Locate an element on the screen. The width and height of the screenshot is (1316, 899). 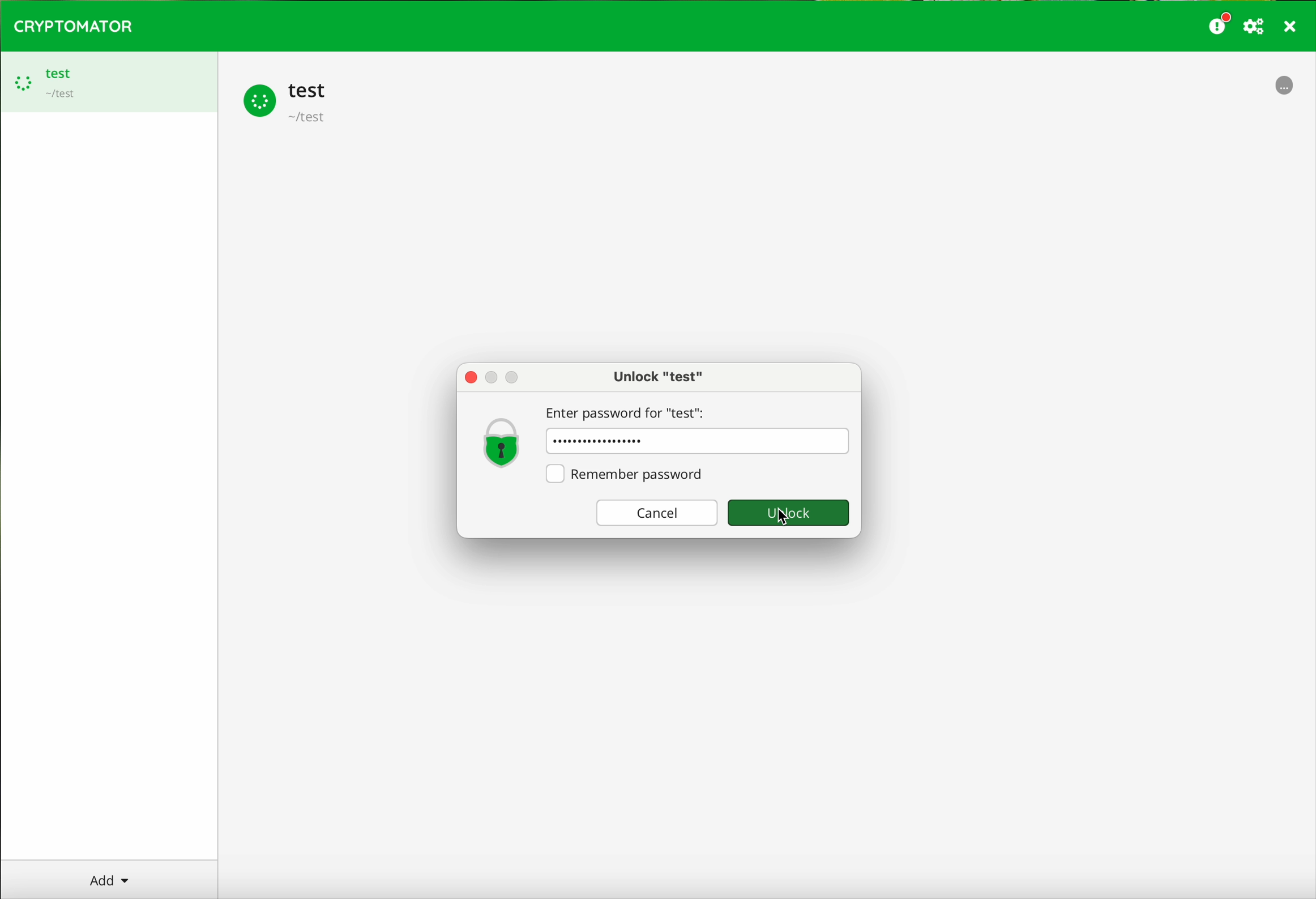
Remember password is located at coordinates (629, 474).